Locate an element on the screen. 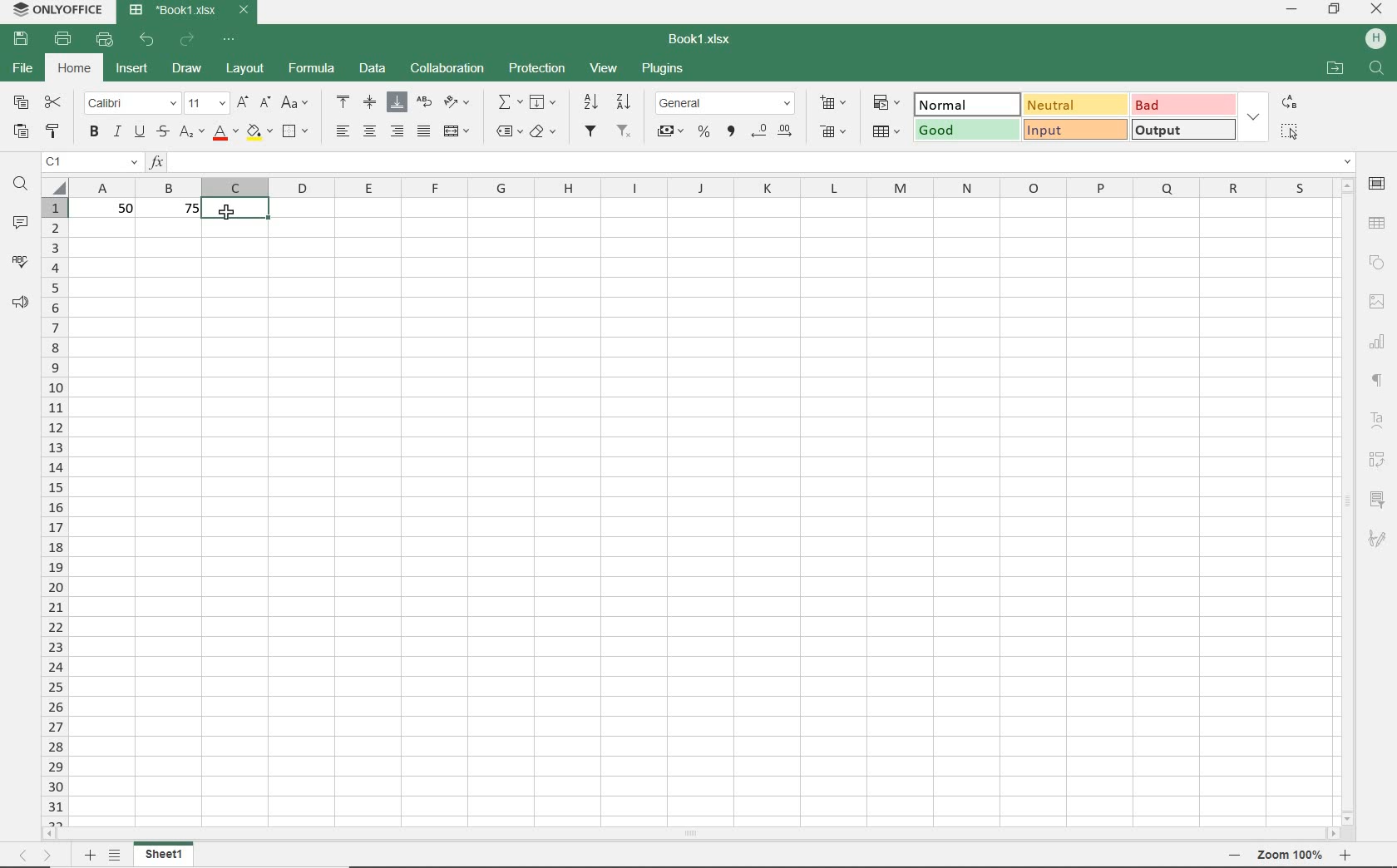 The height and width of the screenshot is (868, 1397). clear is located at coordinates (544, 131).